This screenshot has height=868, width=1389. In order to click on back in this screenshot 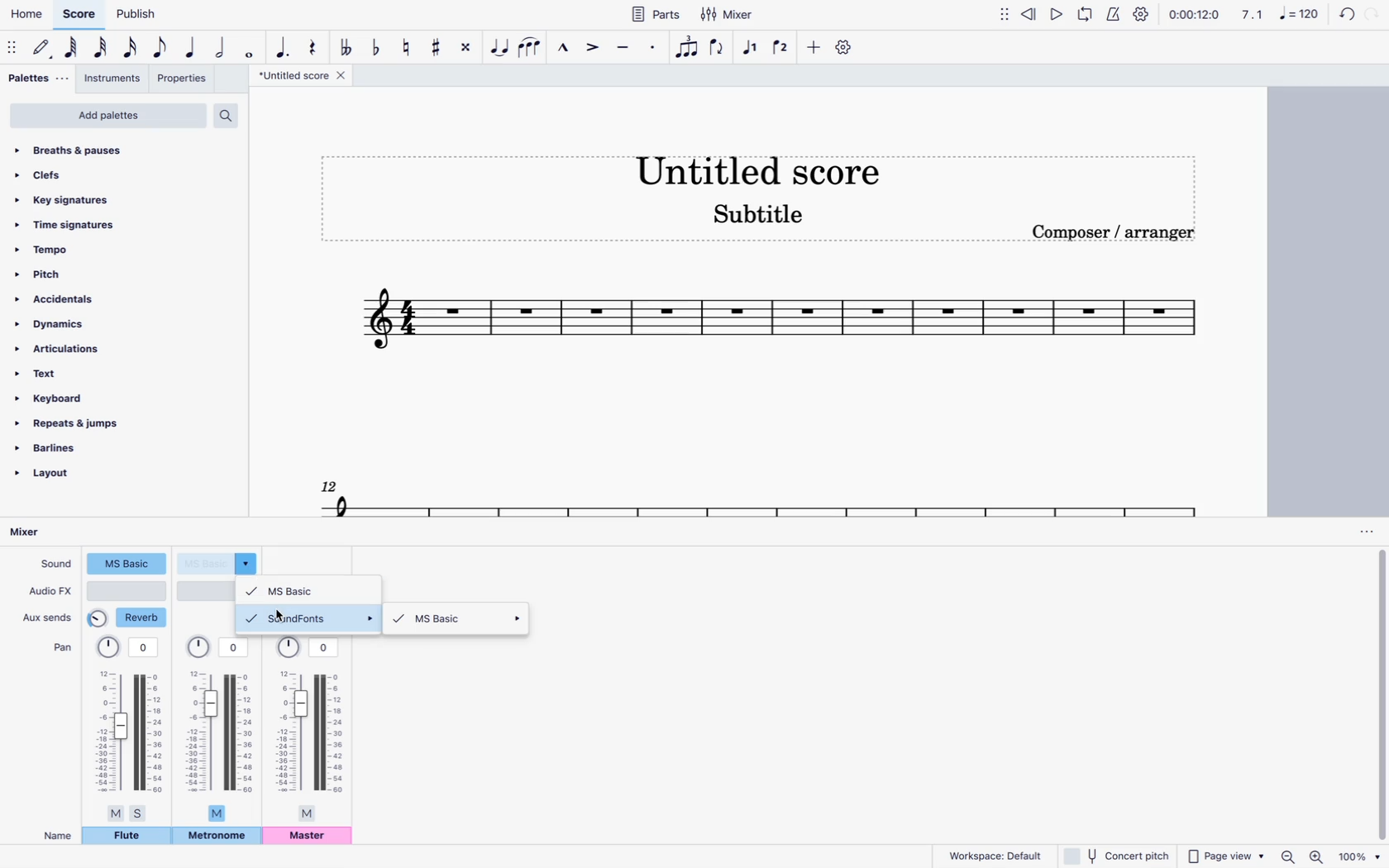, I will do `click(1343, 14)`.